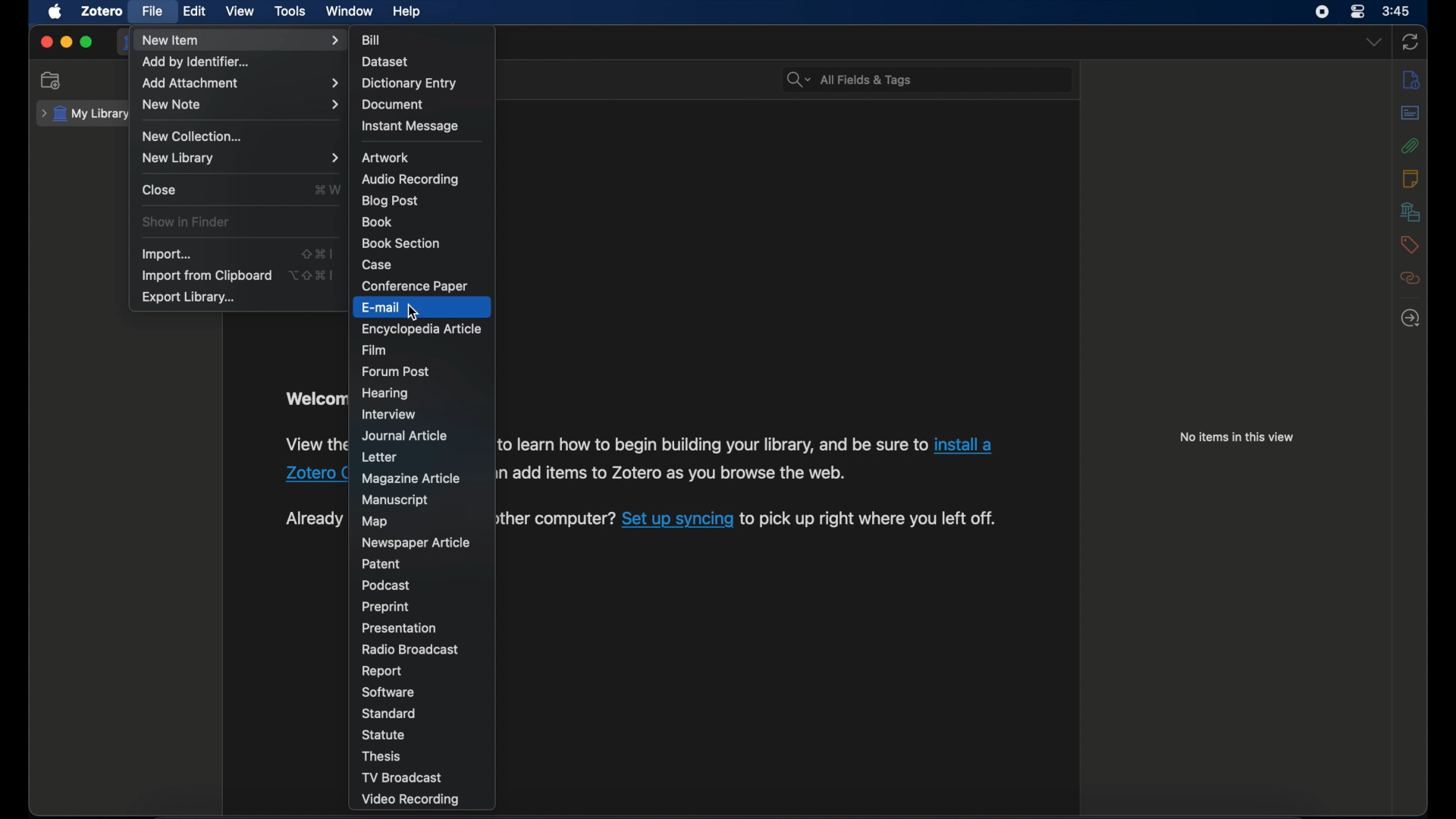  I want to click on interview, so click(391, 416).